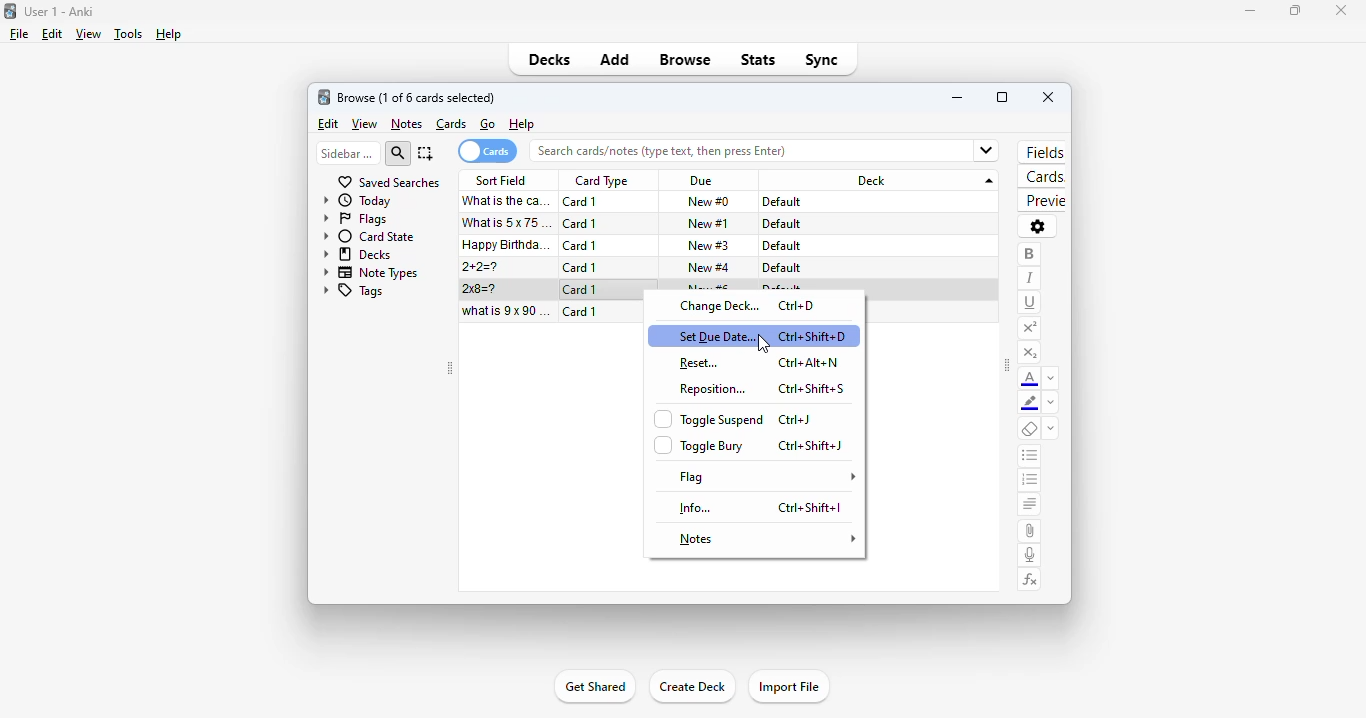 The height and width of the screenshot is (718, 1366). What do you see at coordinates (482, 267) in the screenshot?
I see `2+2=?` at bounding box center [482, 267].